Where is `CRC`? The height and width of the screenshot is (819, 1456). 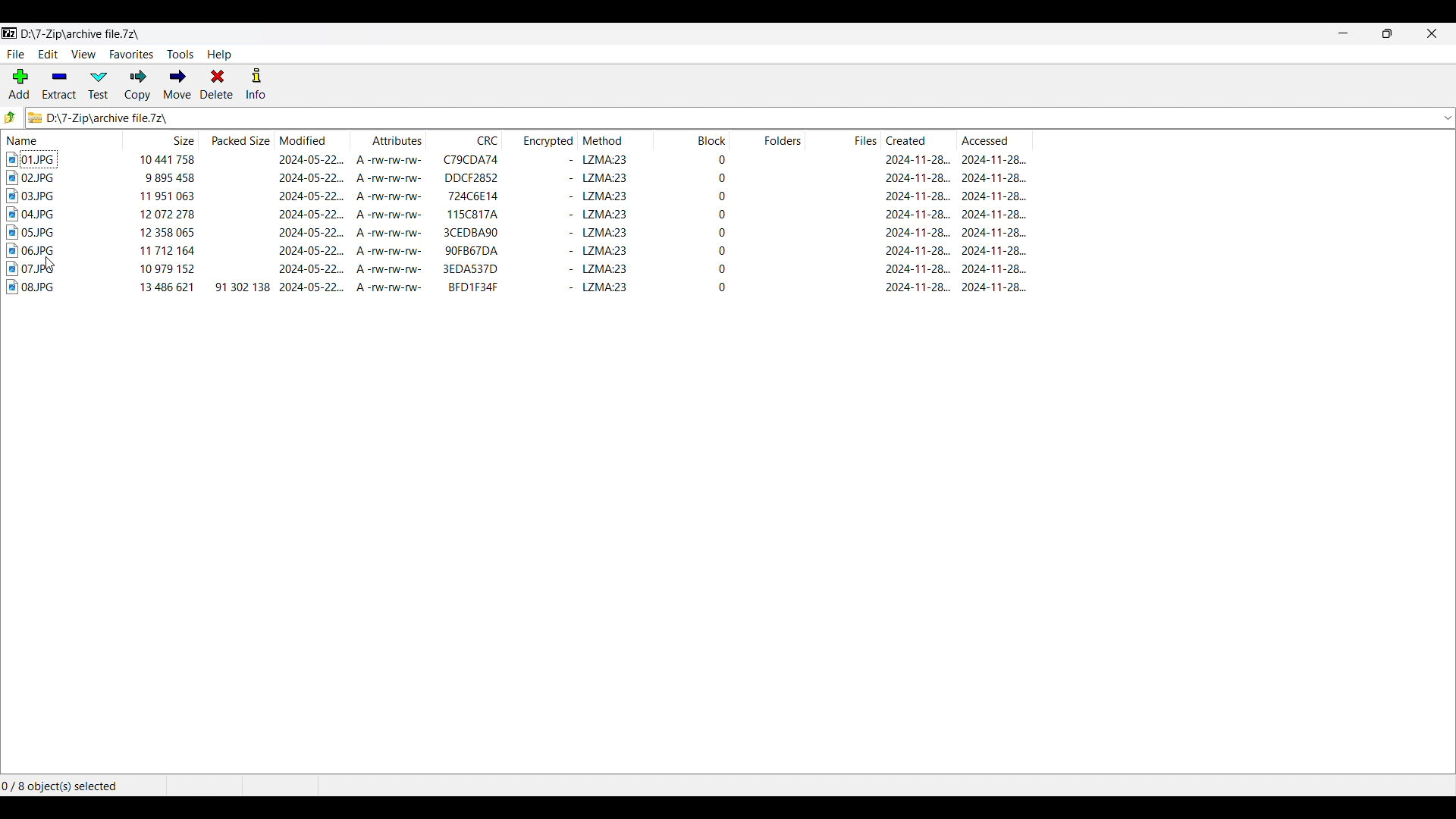
CRC is located at coordinates (472, 287).